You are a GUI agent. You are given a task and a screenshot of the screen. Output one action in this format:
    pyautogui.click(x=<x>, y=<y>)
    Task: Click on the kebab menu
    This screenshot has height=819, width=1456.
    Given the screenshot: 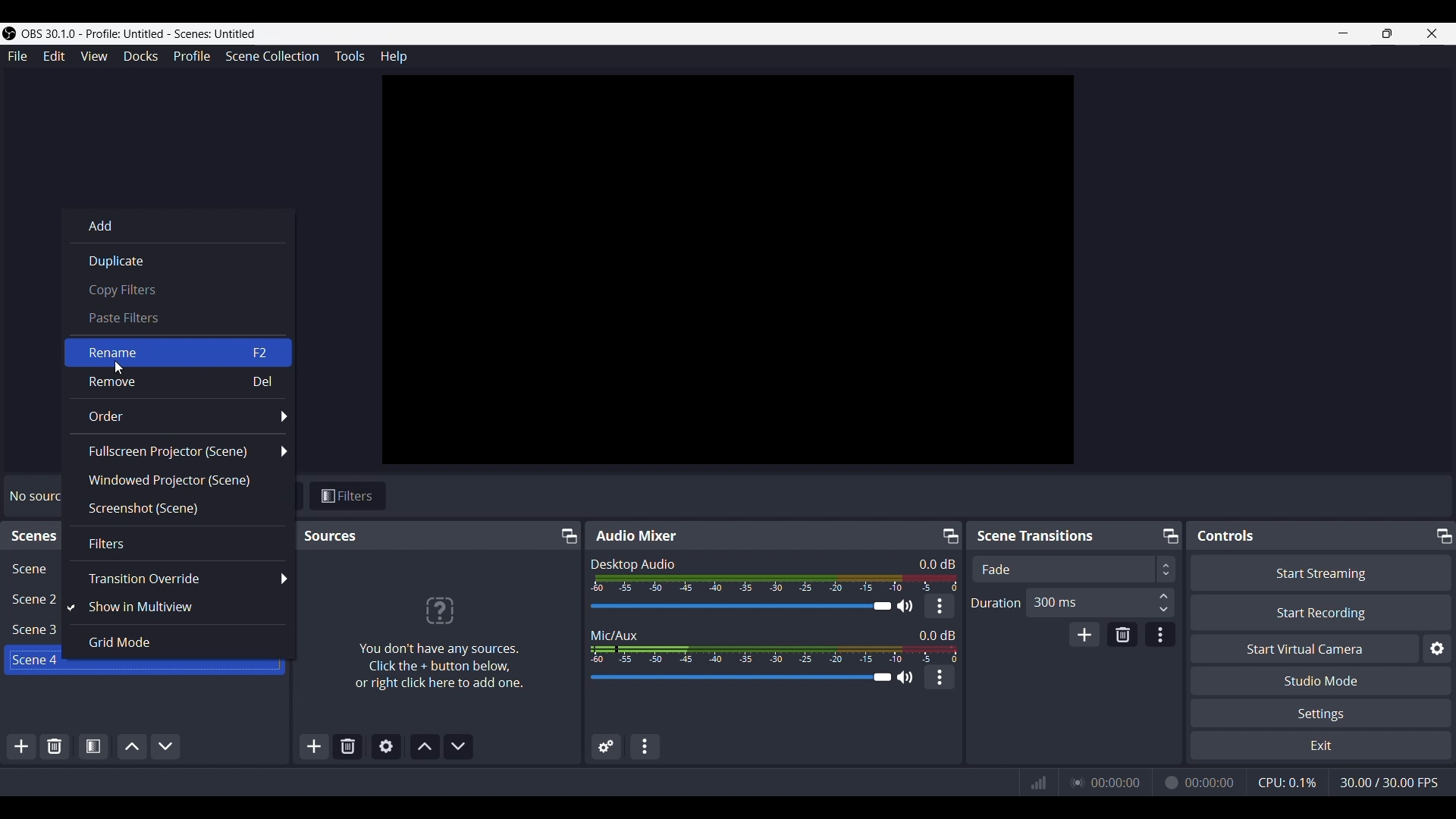 What is the action you would take?
    pyautogui.click(x=940, y=606)
    